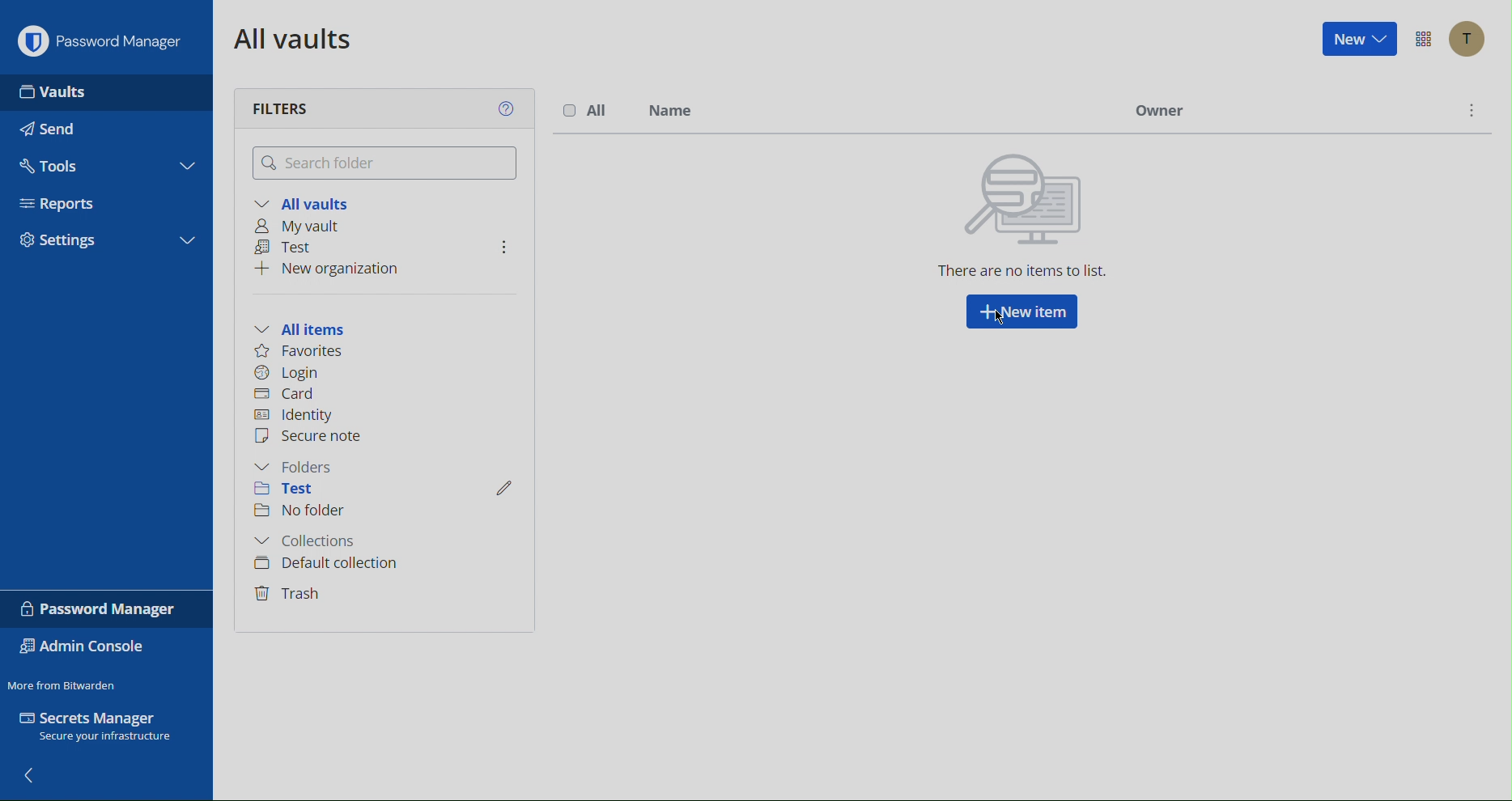 Image resolution: width=1512 pixels, height=801 pixels. Describe the element at coordinates (1468, 39) in the screenshot. I see `Account` at that location.